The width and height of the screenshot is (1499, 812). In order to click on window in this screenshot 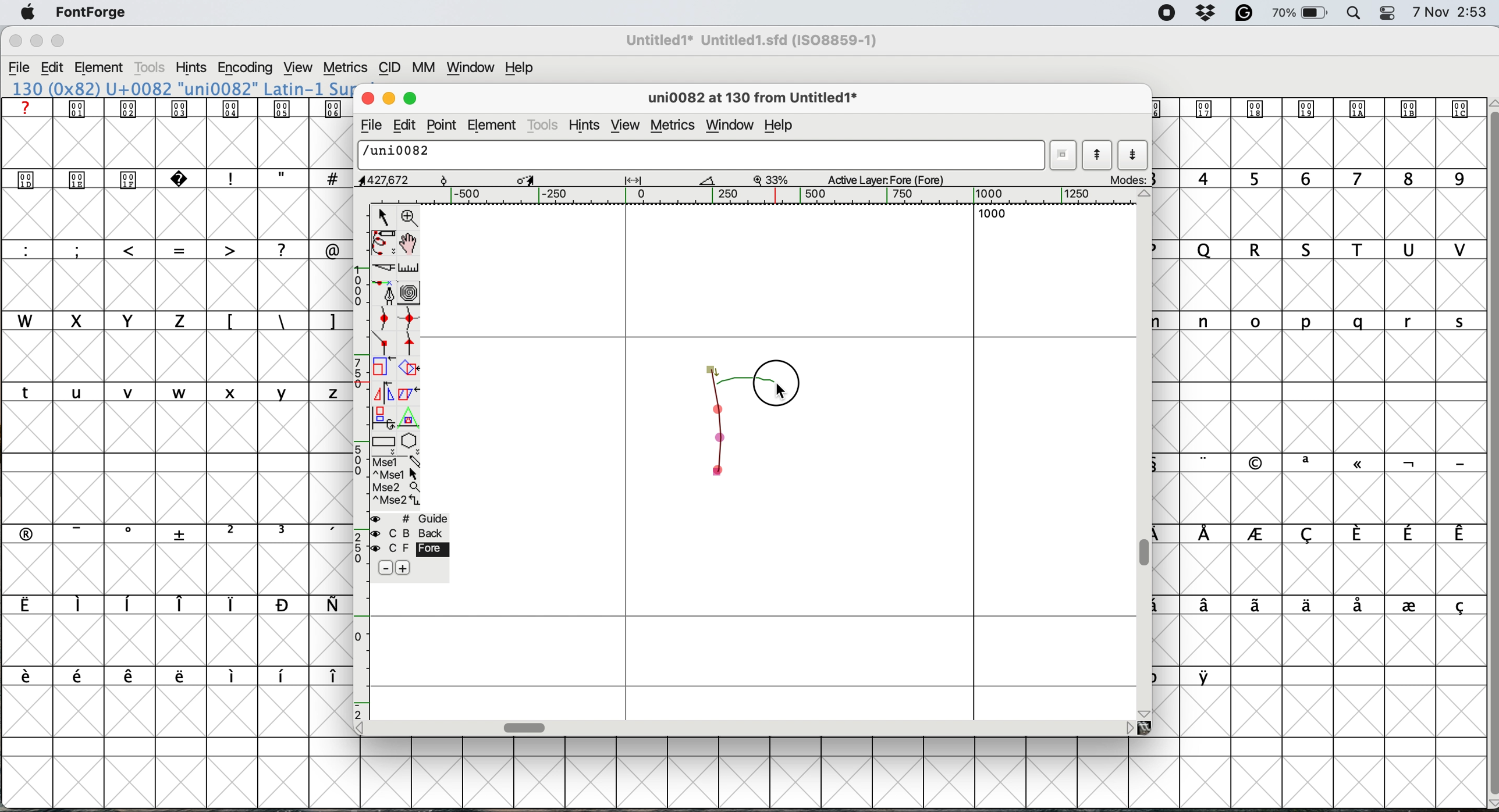, I will do `click(730, 123)`.